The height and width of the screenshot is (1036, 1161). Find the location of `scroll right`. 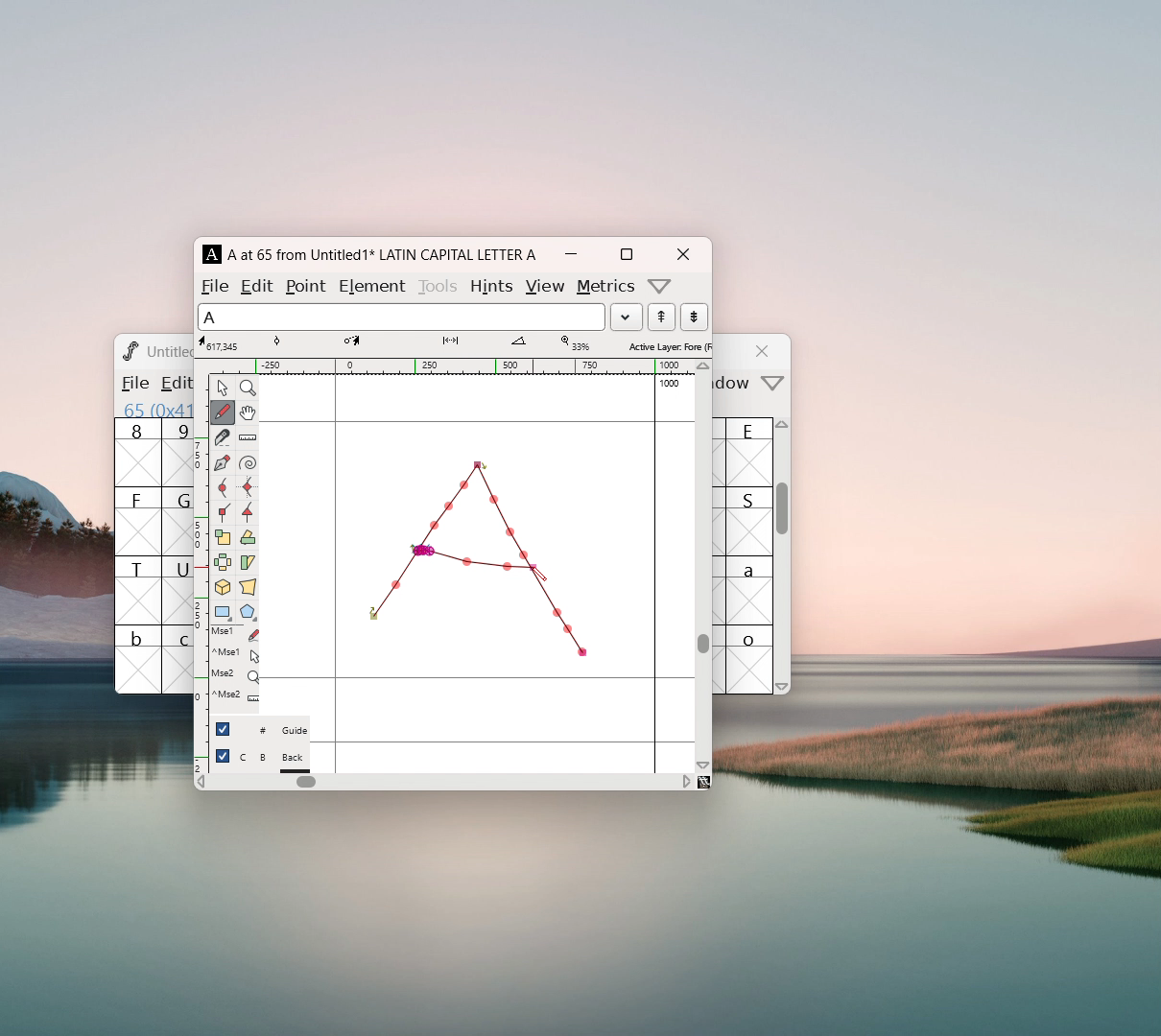

scroll right is located at coordinates (686, 781).